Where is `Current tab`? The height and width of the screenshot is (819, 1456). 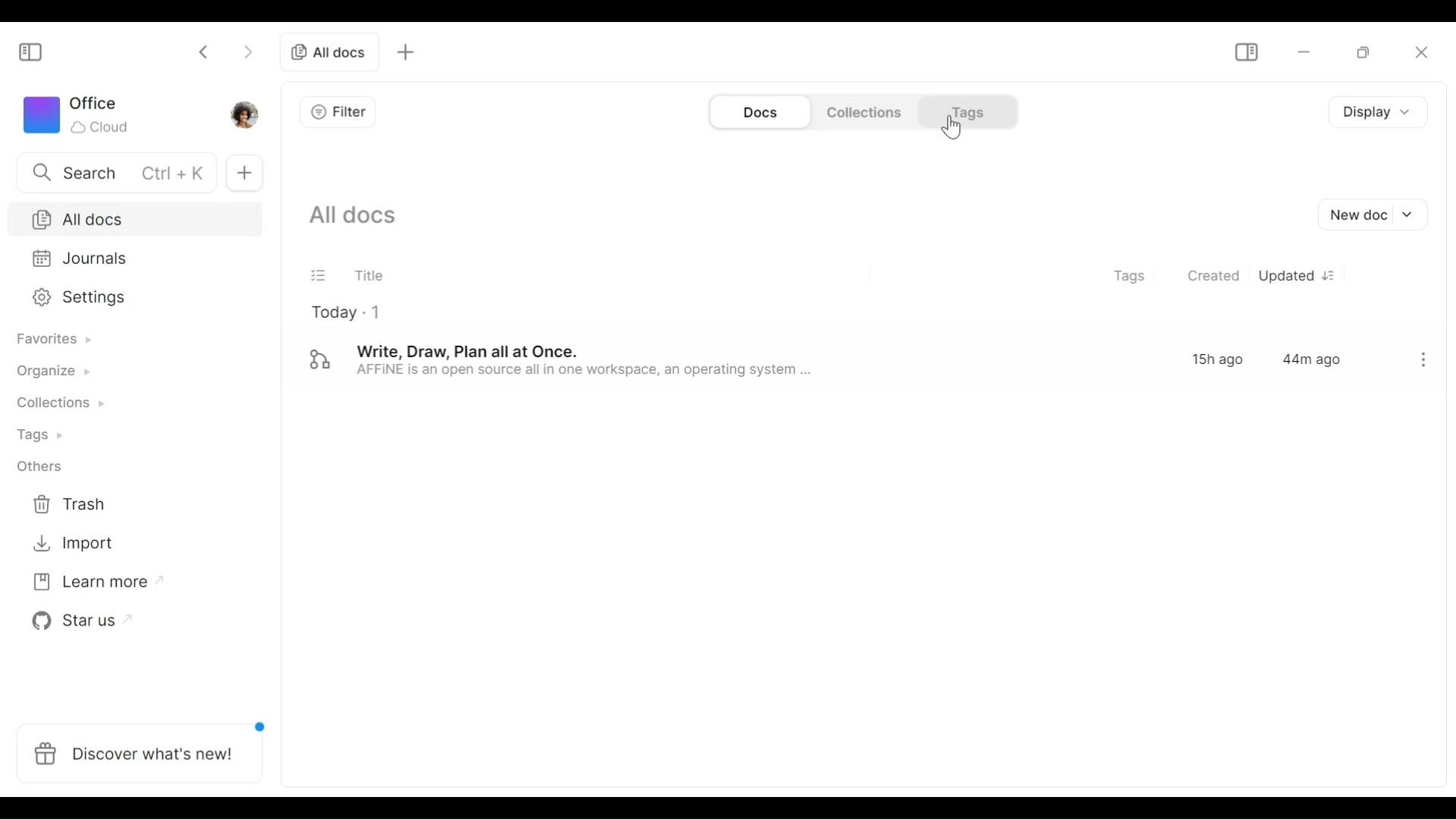 Current tab is located at coordinates (326, 54).